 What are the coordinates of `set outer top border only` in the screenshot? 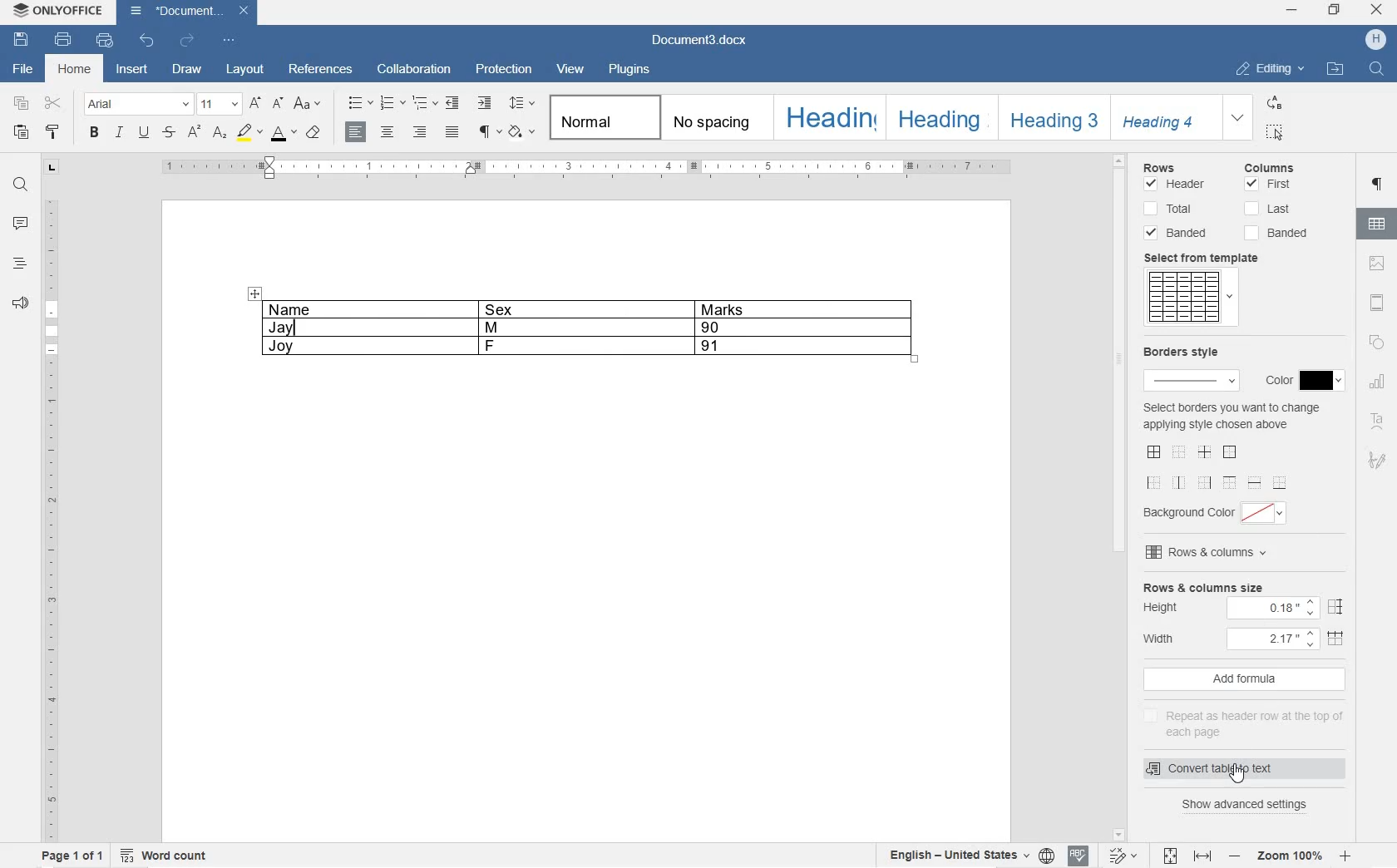 It's located at (1229, 481).